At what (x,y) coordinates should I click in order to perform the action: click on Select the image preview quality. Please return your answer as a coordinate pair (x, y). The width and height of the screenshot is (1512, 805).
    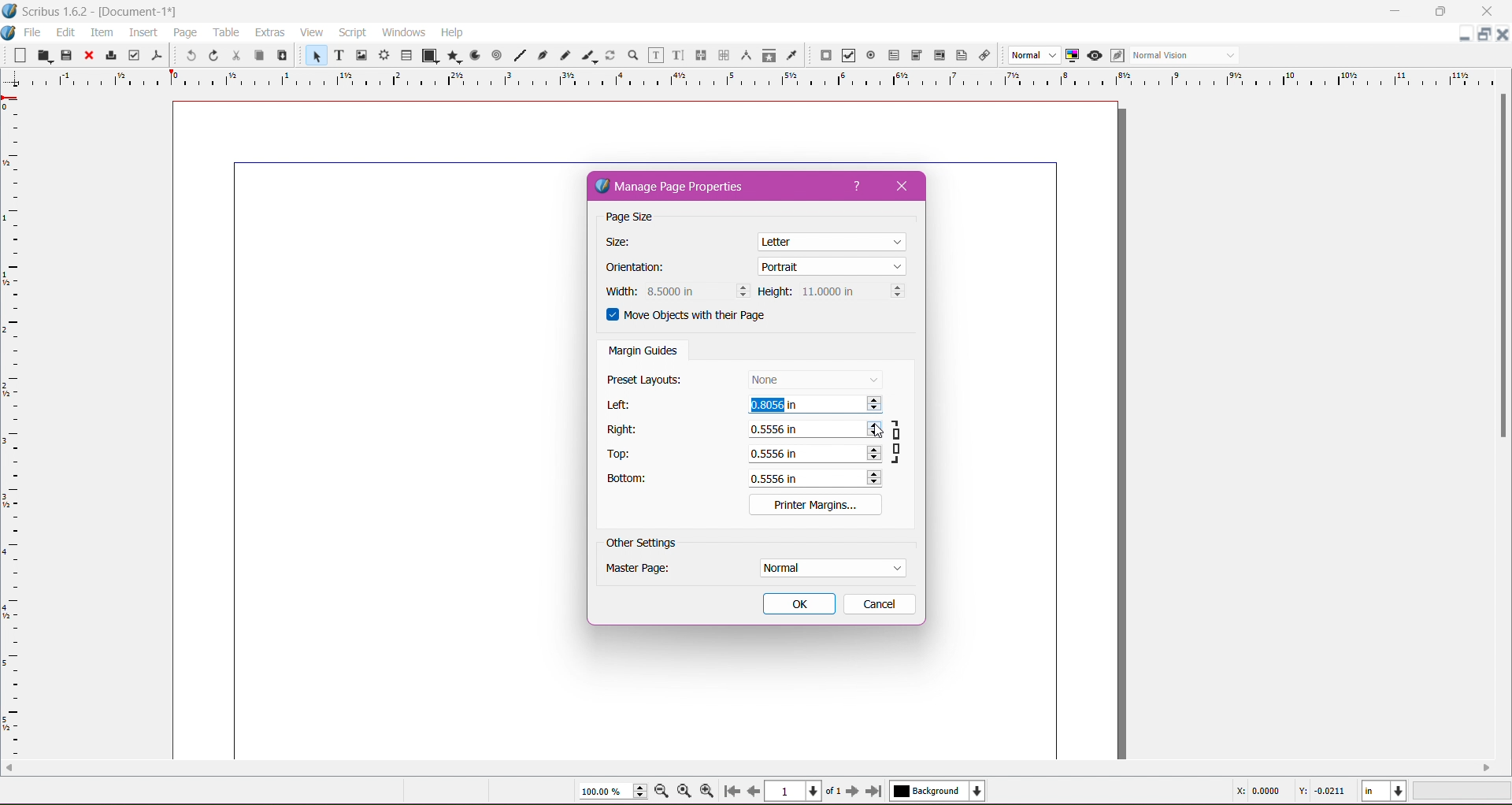
    Looking at the image, I should click on (1032, 55).